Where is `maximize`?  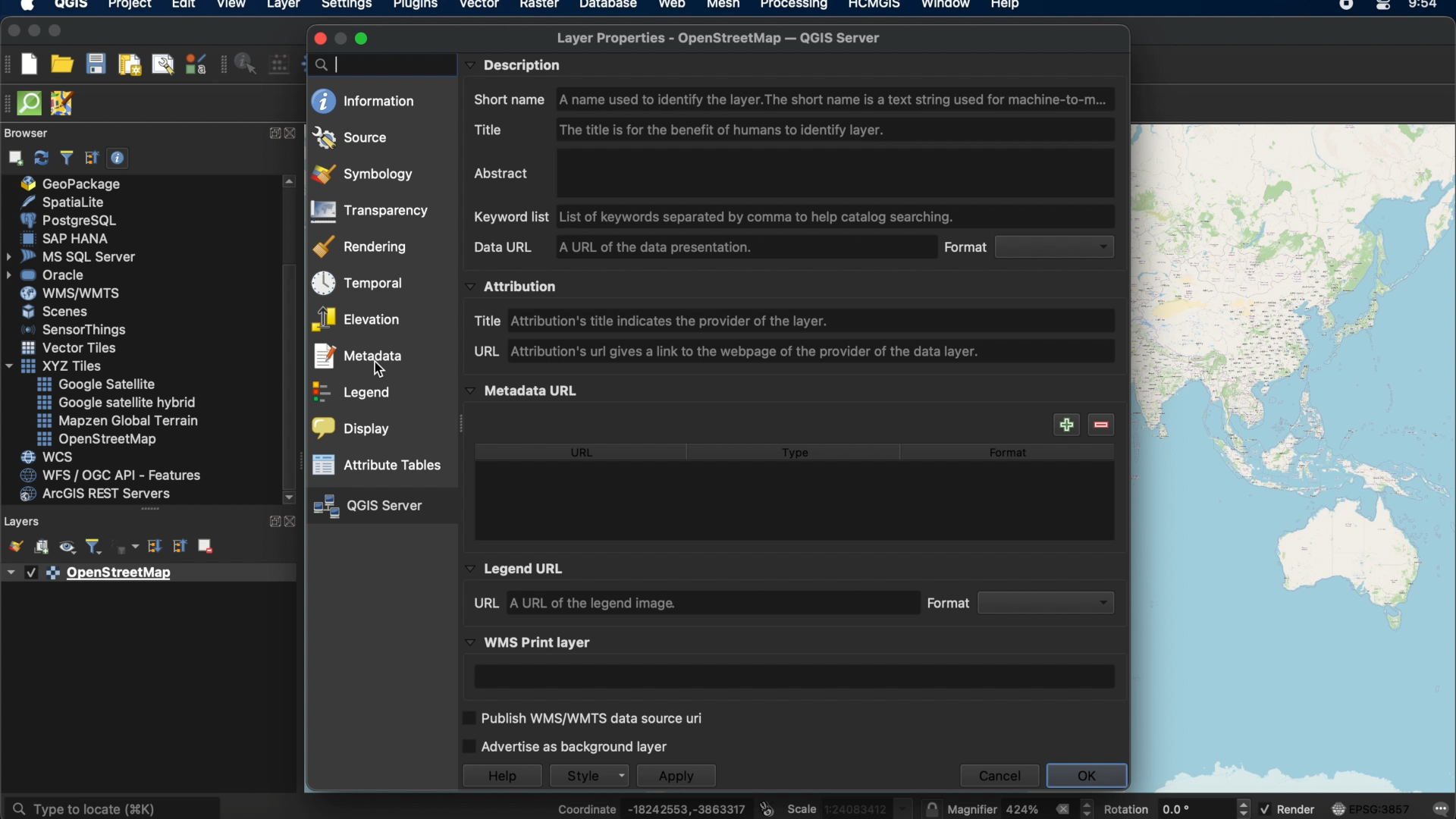
maximize is located at coordinates (363, 39).